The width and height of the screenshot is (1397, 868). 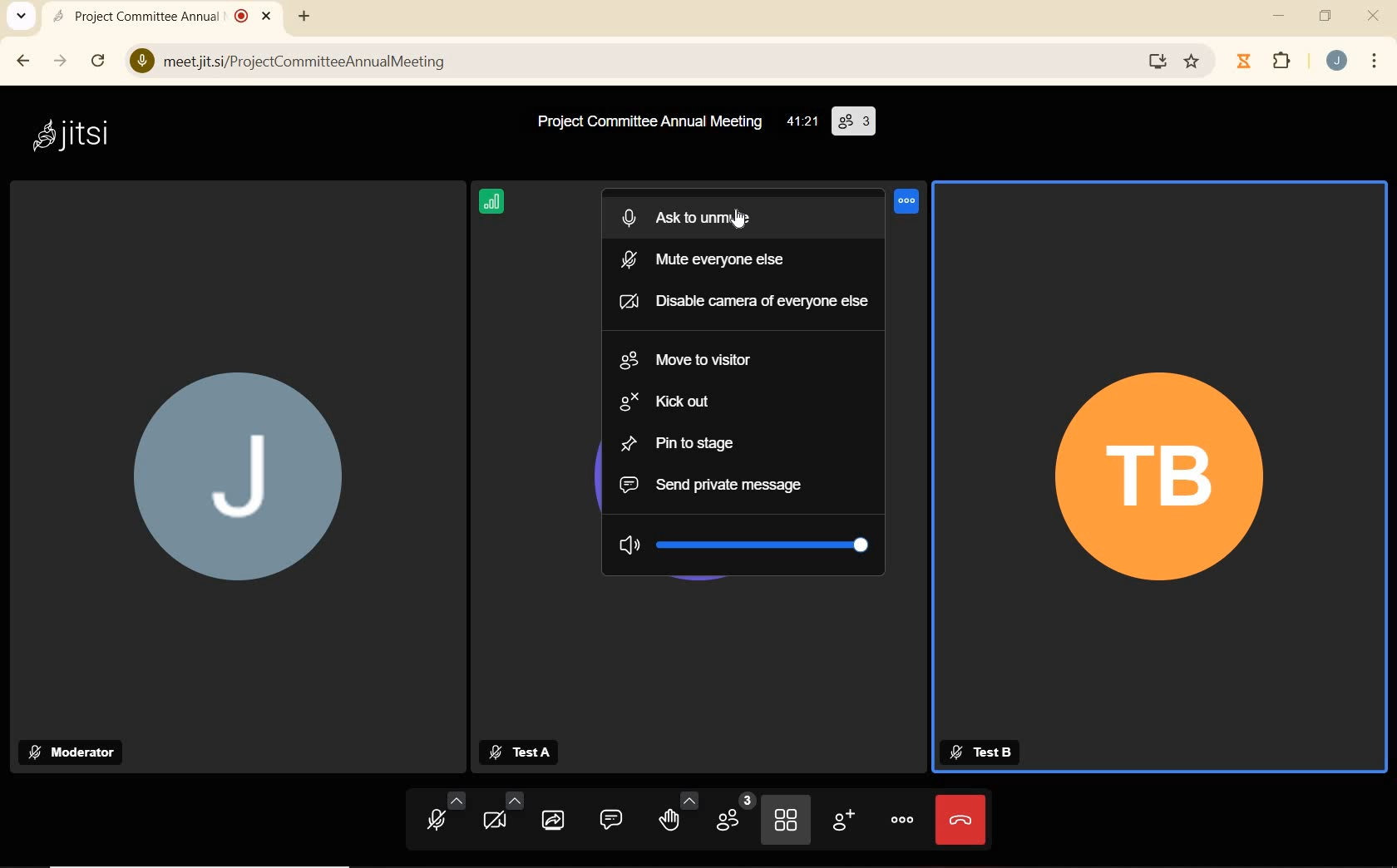 I want to click on Test A, so click(x=518, y=753).